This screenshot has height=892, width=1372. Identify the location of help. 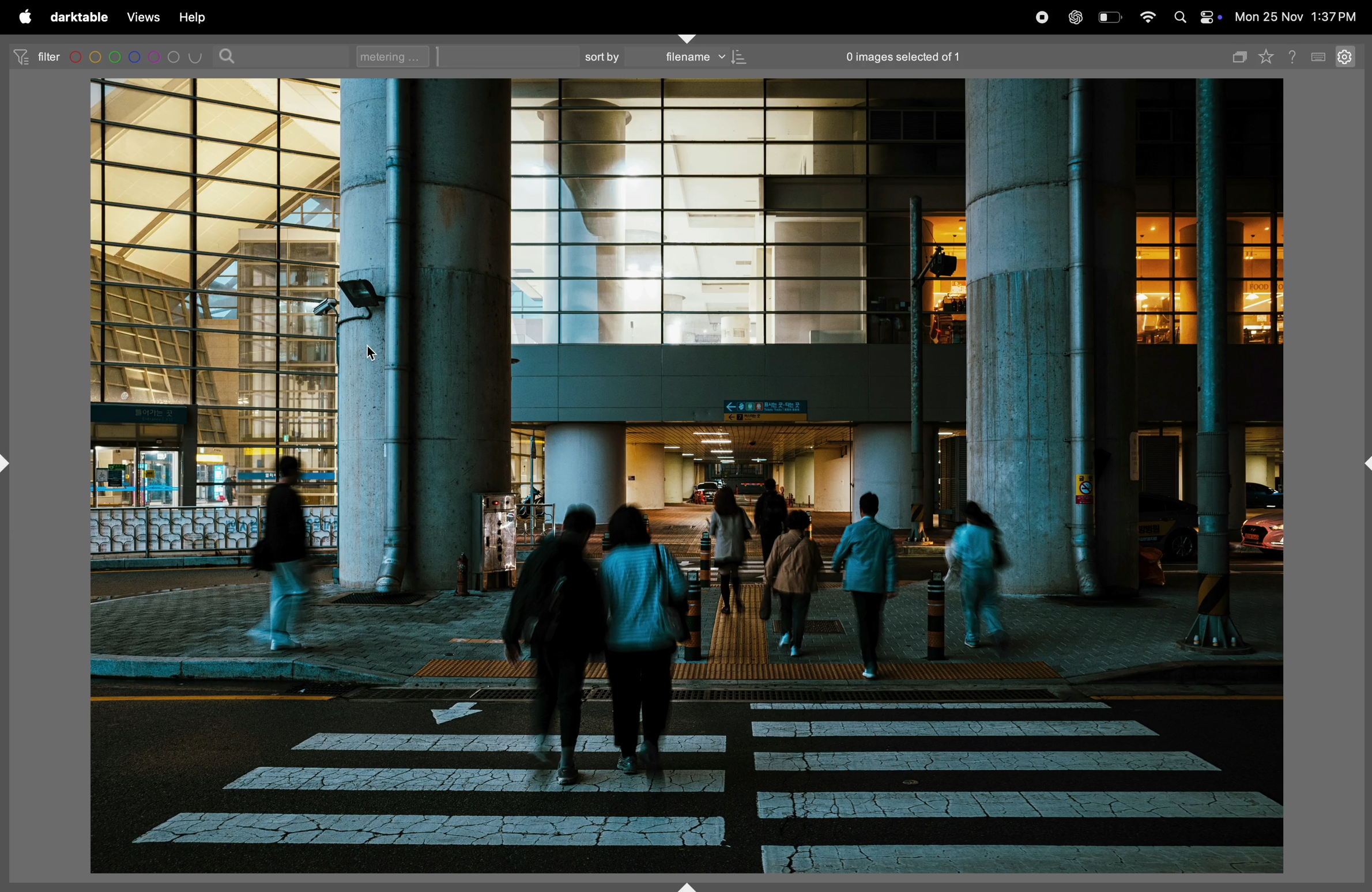
(1296, 55).